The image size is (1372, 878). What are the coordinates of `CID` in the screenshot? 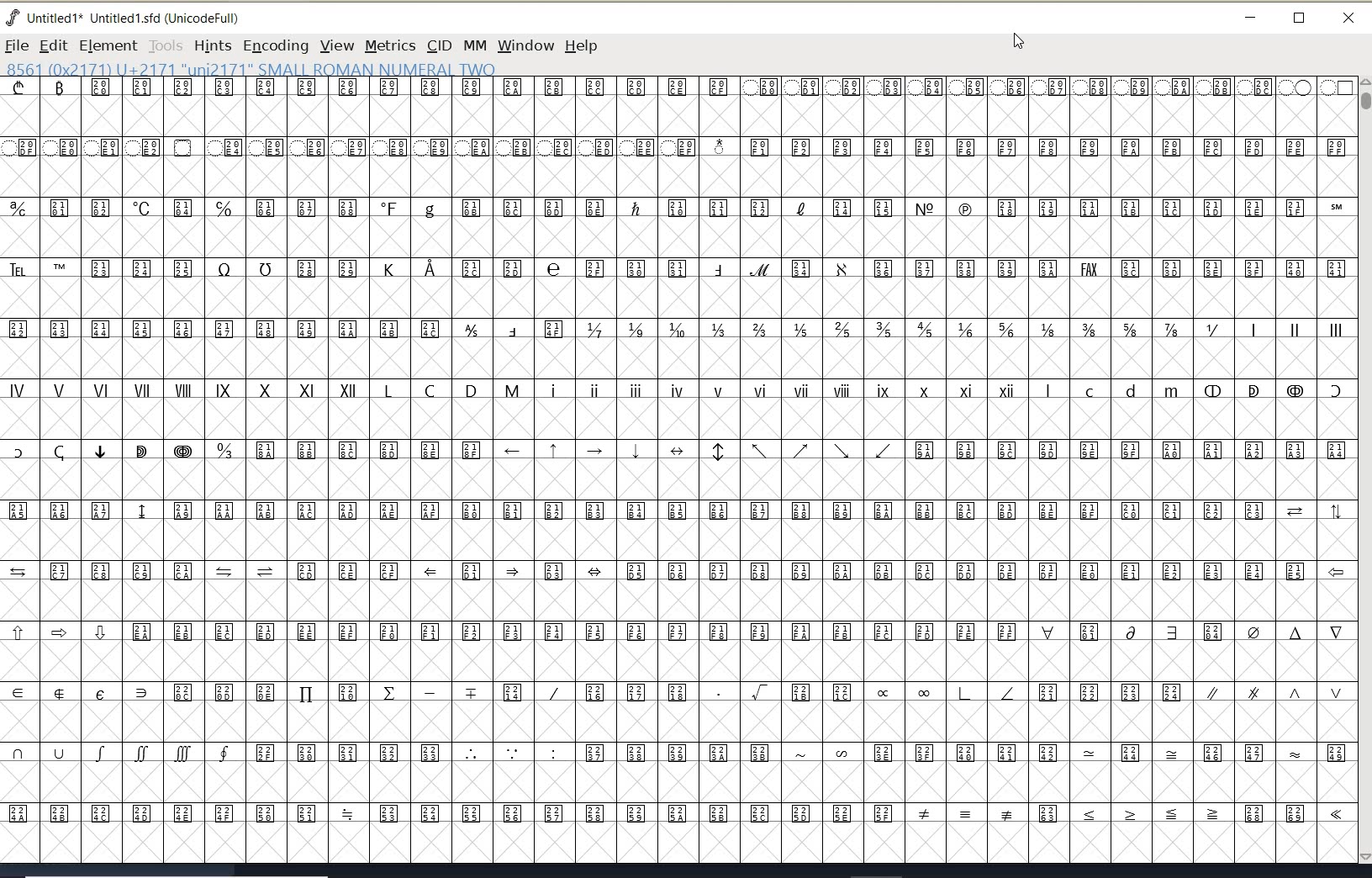 It's located at (438, 45).